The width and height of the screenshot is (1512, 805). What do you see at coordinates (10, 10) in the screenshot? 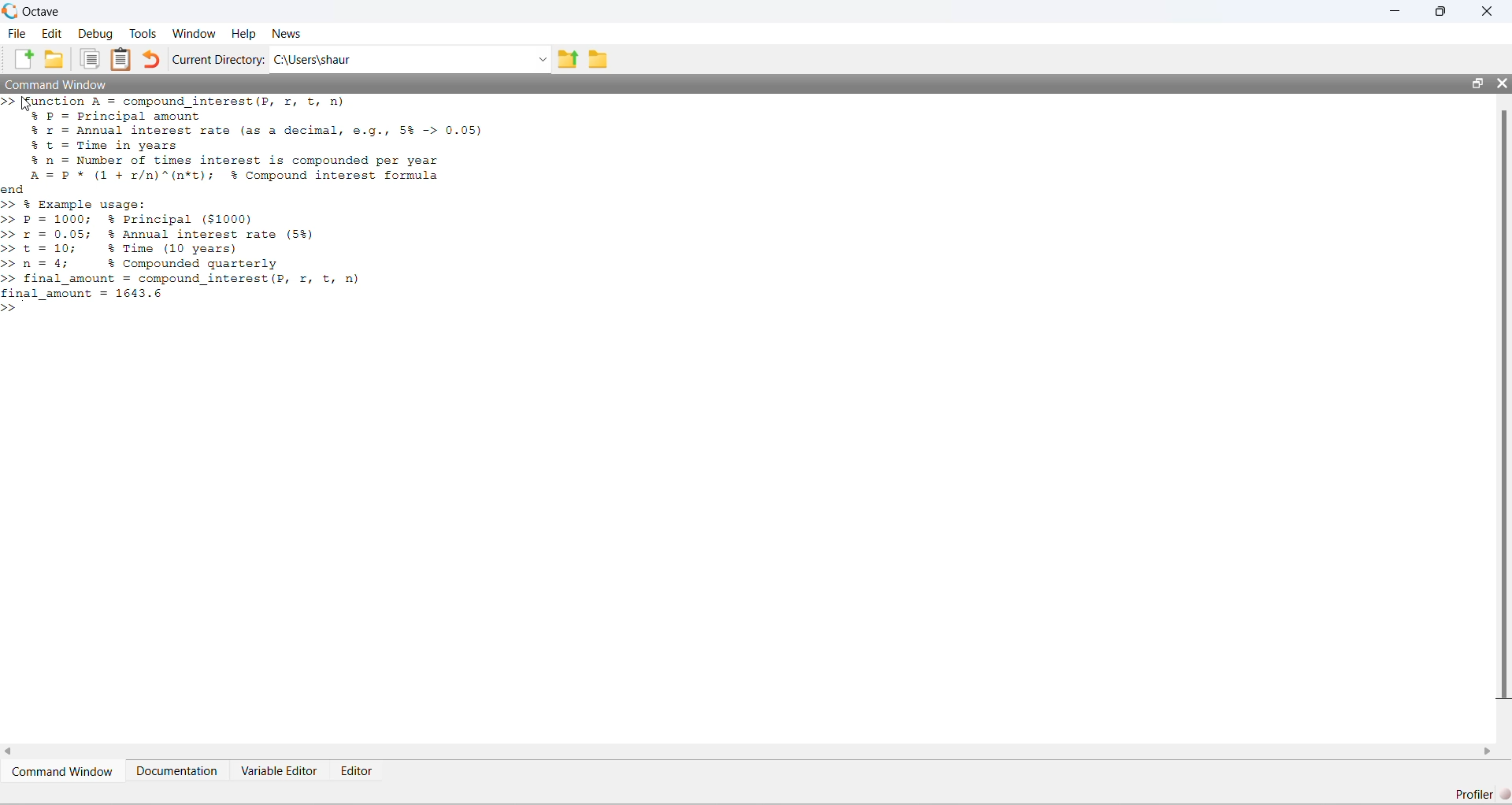
I see `Logo` at bounding box center [10, 10].